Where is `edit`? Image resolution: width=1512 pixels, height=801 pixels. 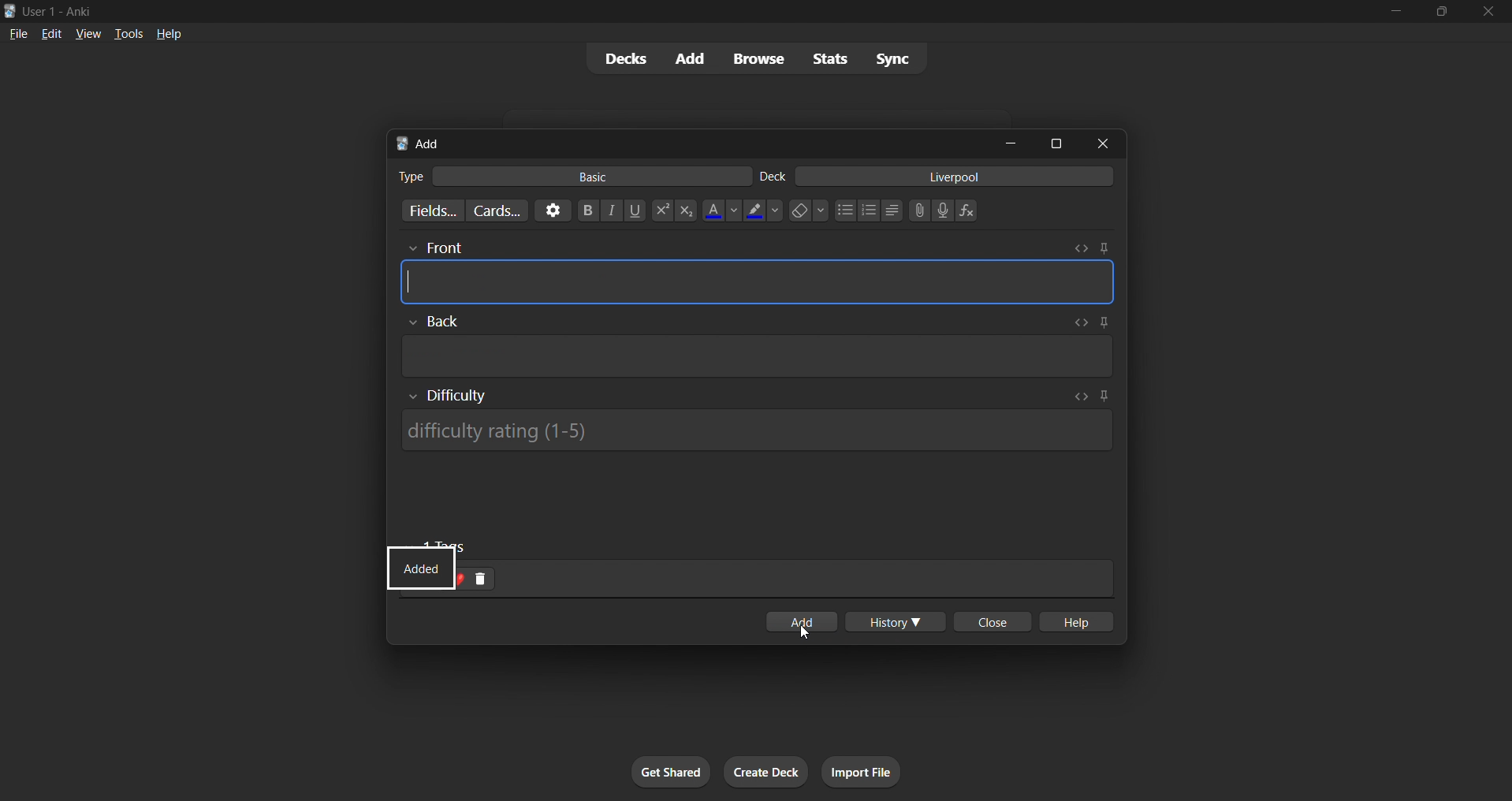
edit is located at coordinates (47, 32).